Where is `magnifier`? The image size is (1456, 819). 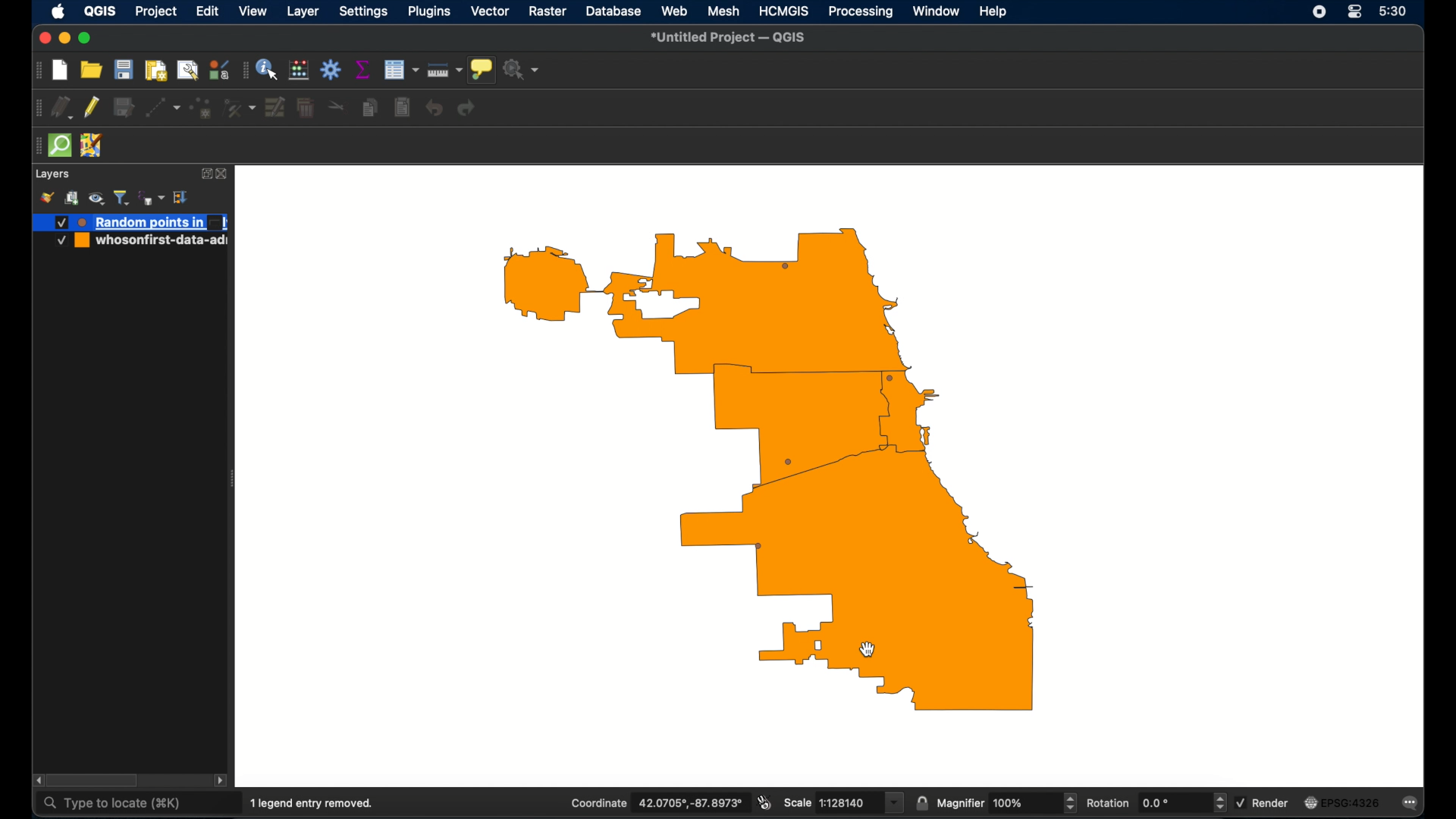
magnifier is located at coordinates (1006, 803).